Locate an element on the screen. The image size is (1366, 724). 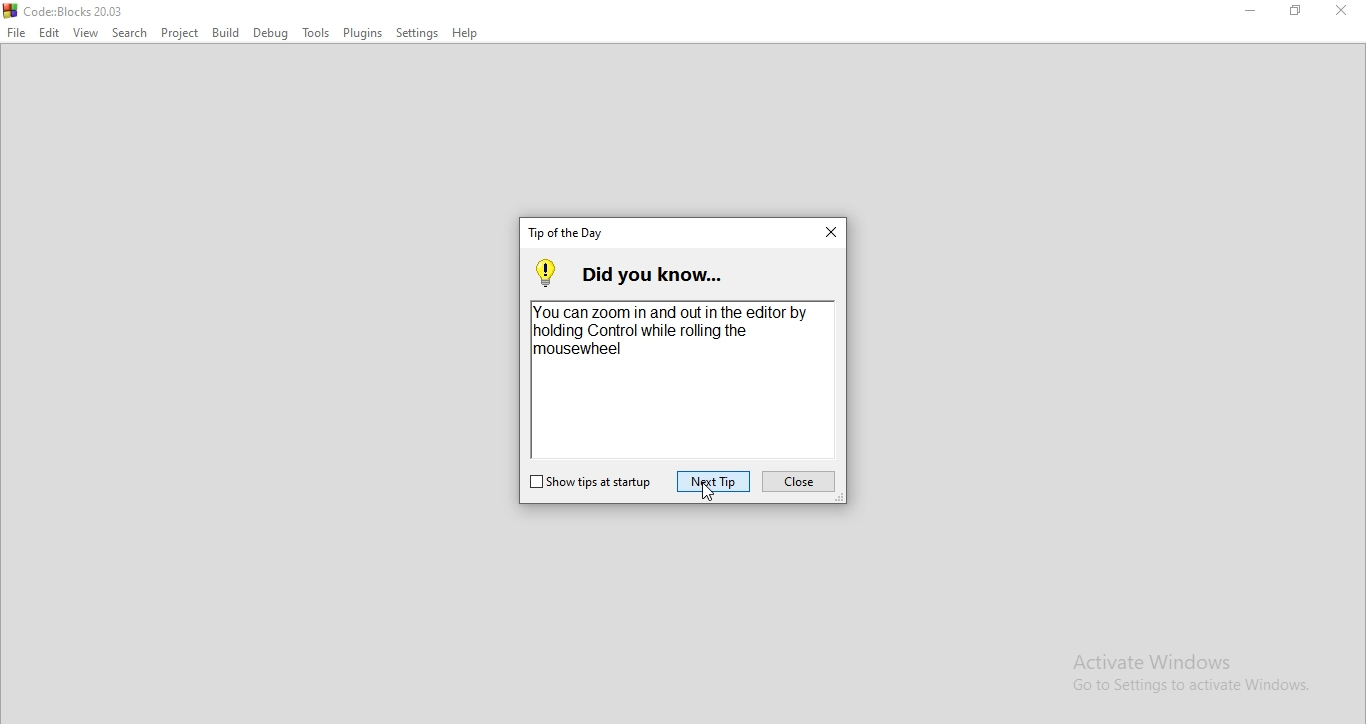
Edit  is located at coordinates (49, 34).